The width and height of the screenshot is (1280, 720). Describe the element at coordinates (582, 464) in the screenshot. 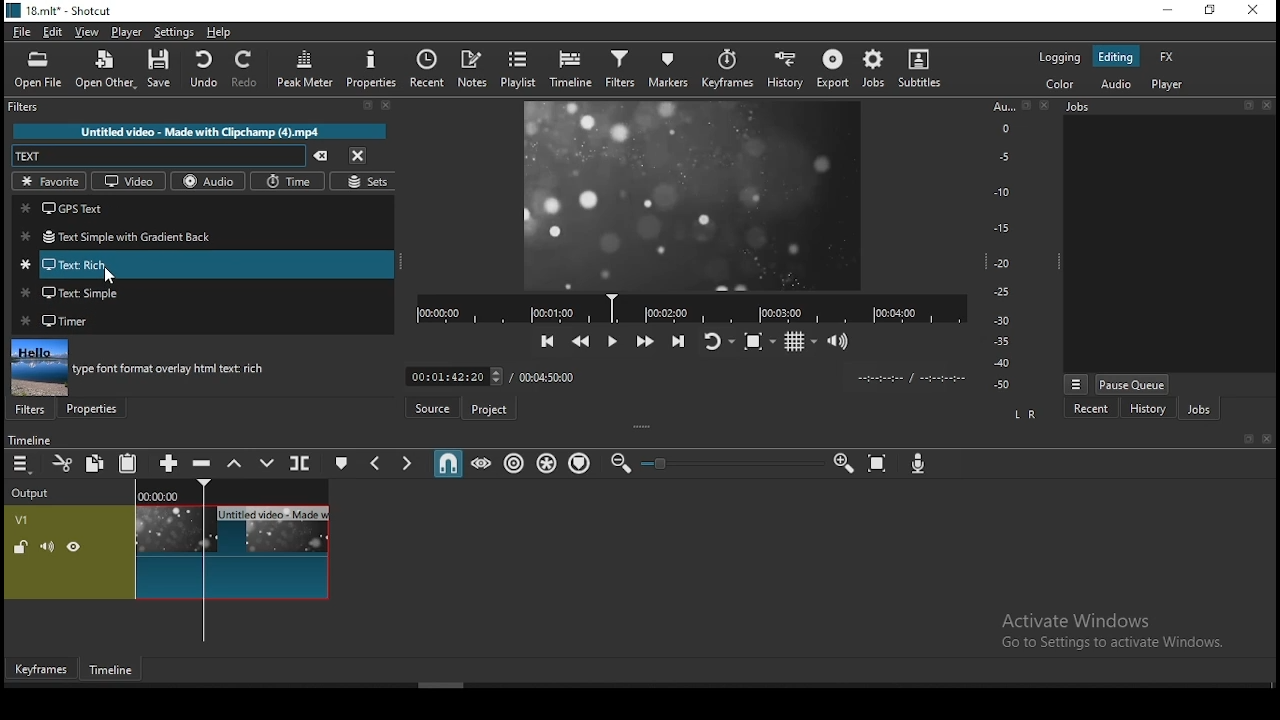

I see `ripple markers` at that location.